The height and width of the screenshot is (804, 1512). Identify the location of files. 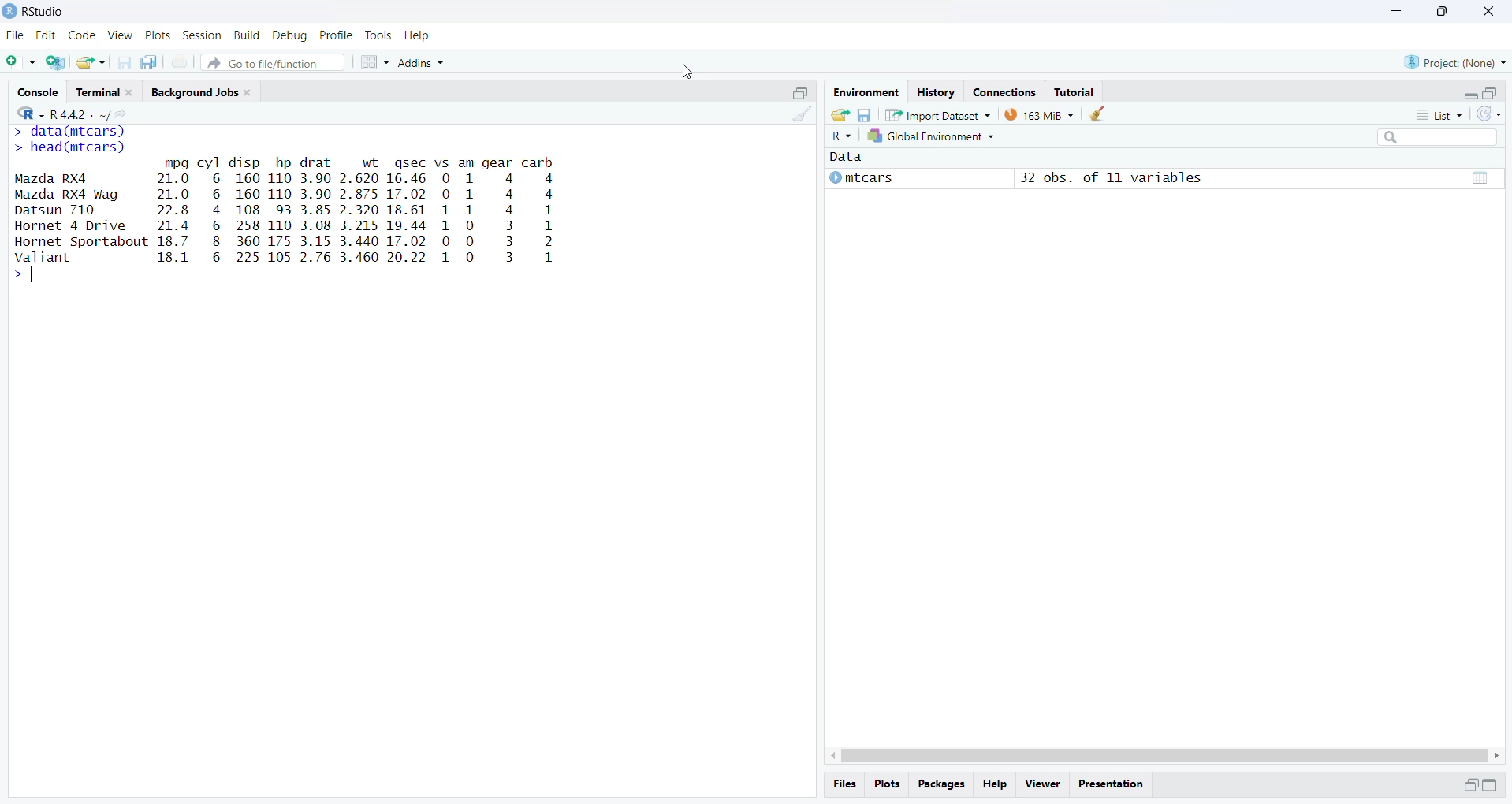
(846, 785).